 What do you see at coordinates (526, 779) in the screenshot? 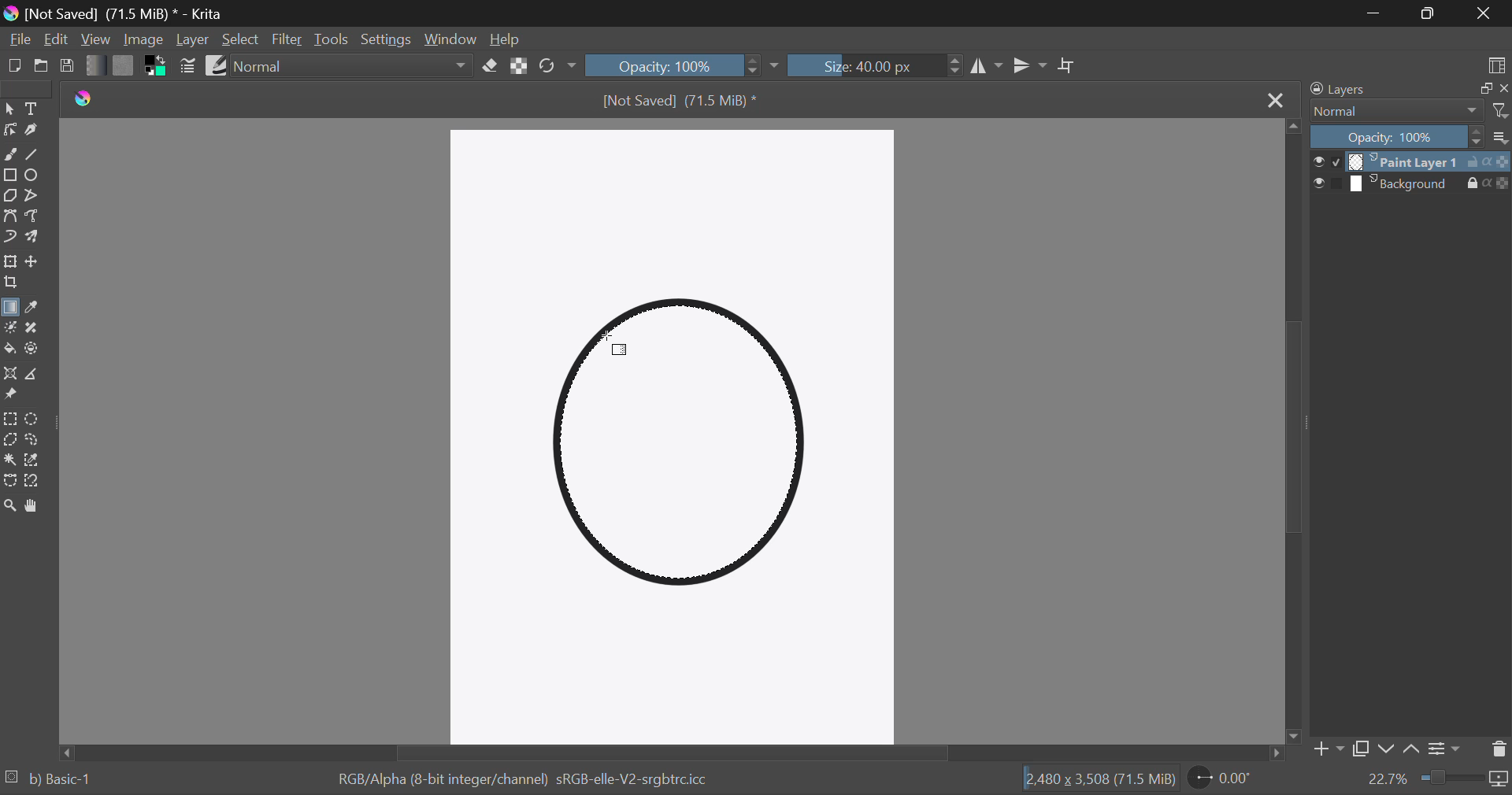
I see `RGB/Alpha (8-bit integer/channel) sRGB-elle-V2-srgbtrc.icc` at bounding box center [526, 779].